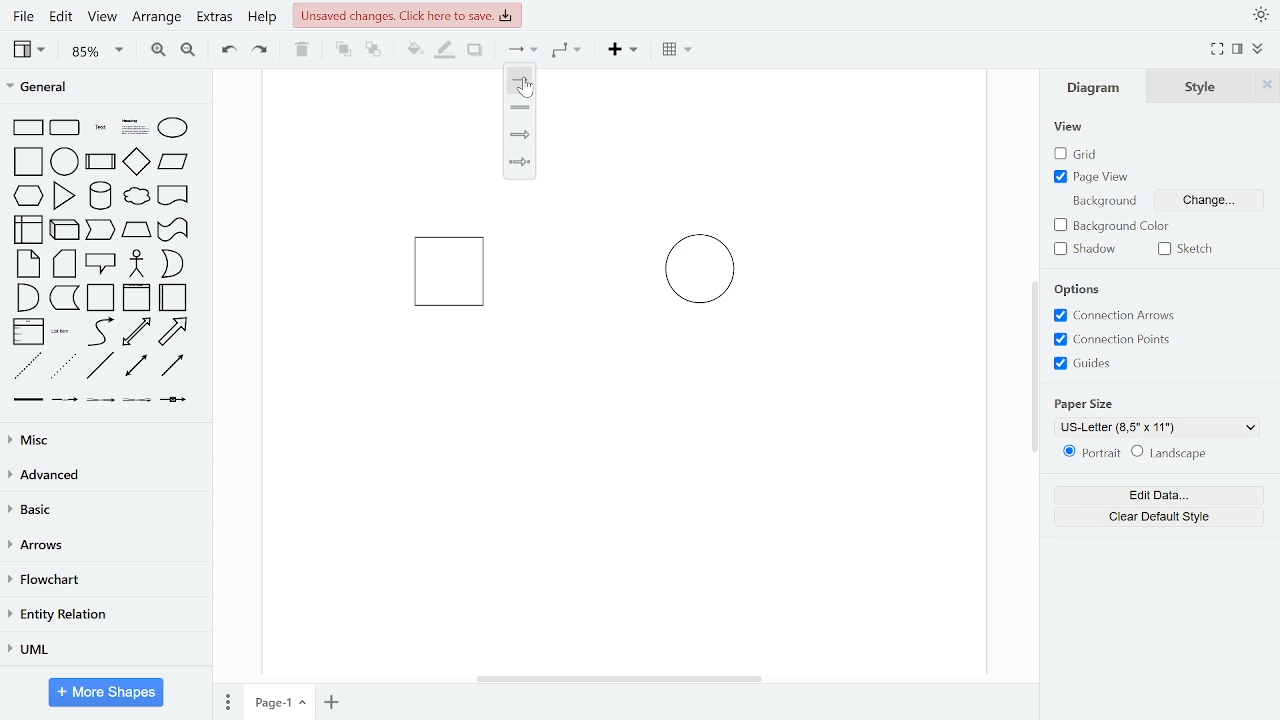 This screenshot has width=1280, height=720. I want to click on connector  with 2 labels, so click(102, 400).